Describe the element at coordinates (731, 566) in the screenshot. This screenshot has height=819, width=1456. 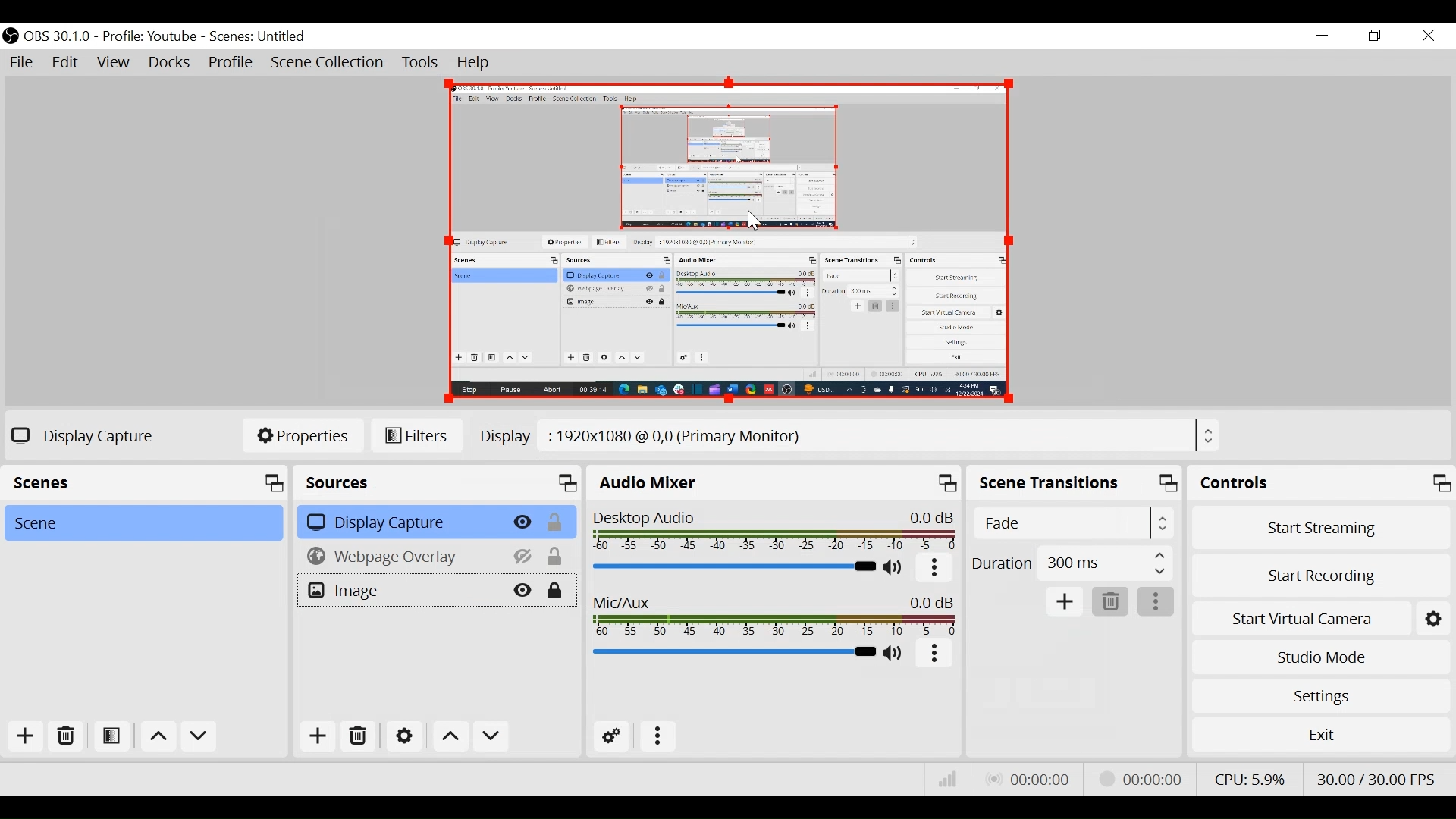
I see `Desktop Audio Slider` at that location.